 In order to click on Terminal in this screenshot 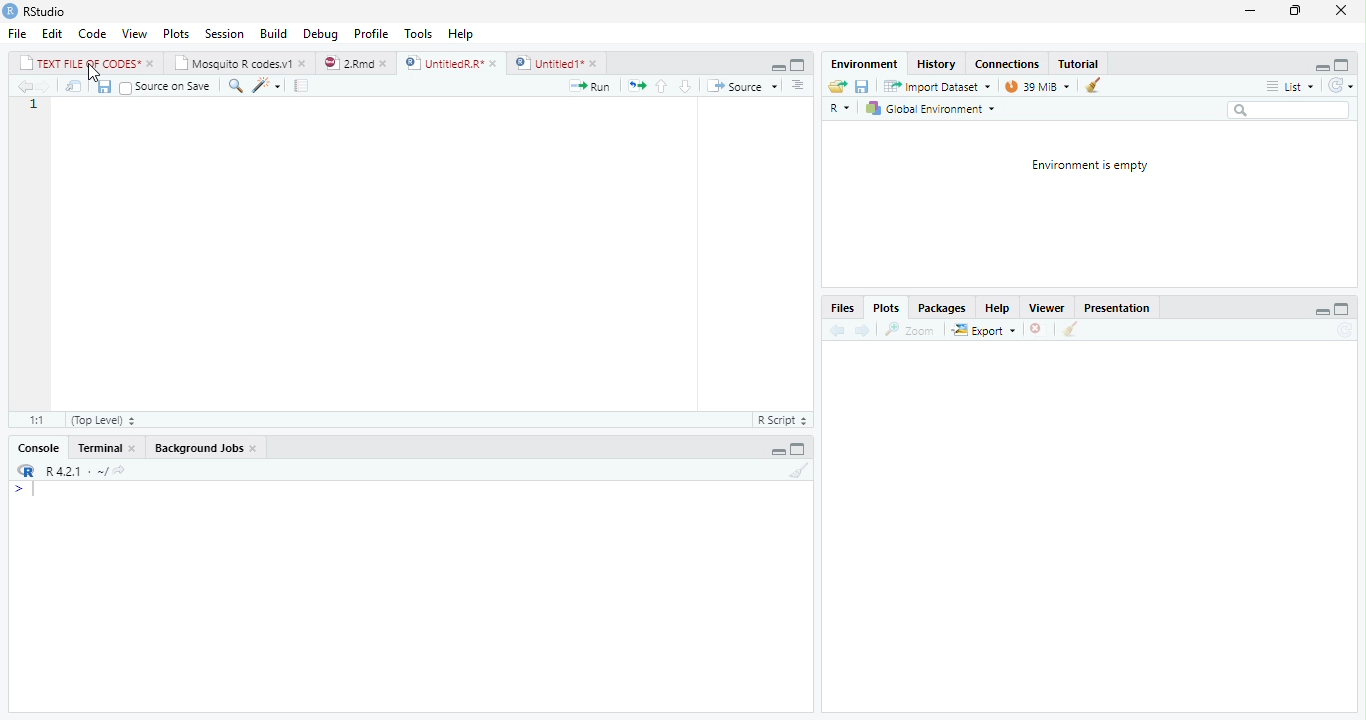, I will do `click(105, 449)`.